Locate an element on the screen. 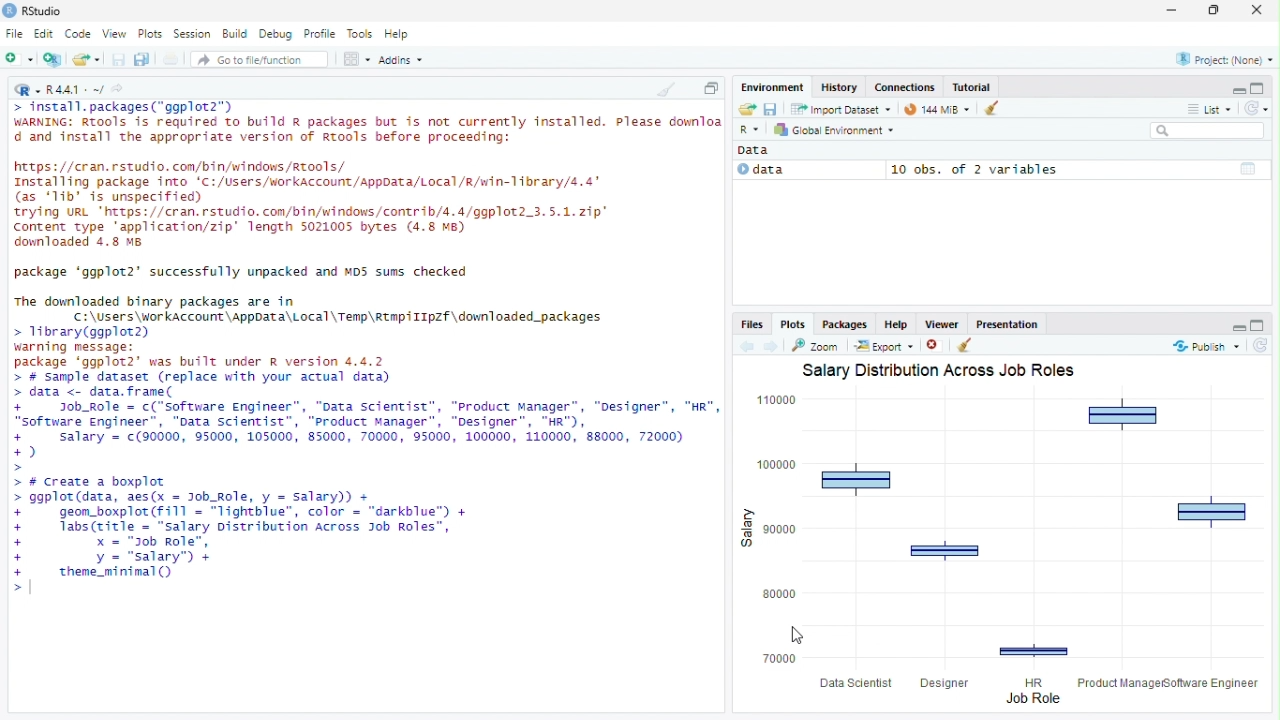 This screenshot has width=1280, height=720. R Language is located at coordinates (27, 91).